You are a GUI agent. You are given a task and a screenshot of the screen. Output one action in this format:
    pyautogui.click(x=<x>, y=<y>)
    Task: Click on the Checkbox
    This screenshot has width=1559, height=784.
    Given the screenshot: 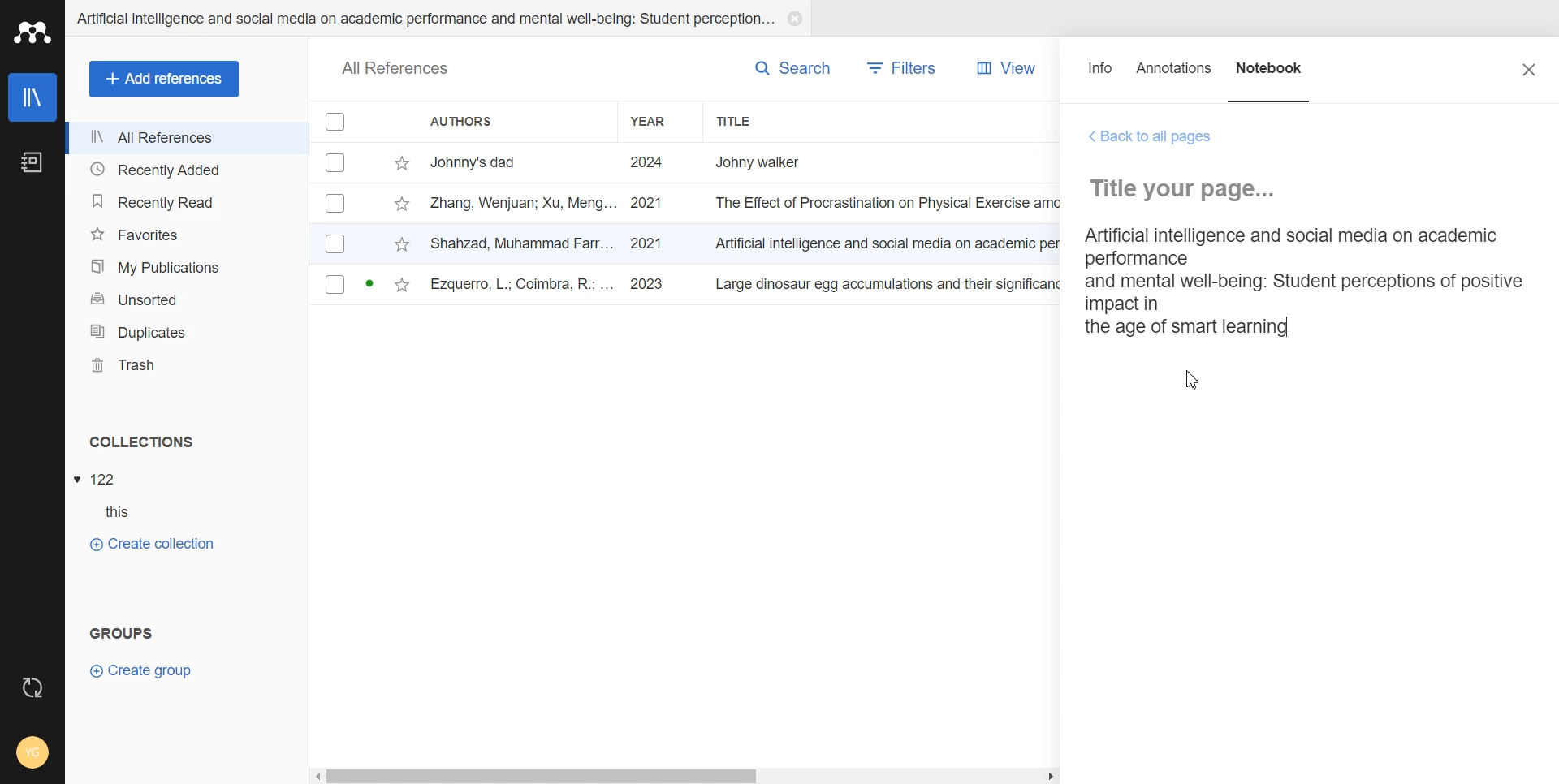 What is the action you would take?
    pyautogui.click(x=336, y=203)
    